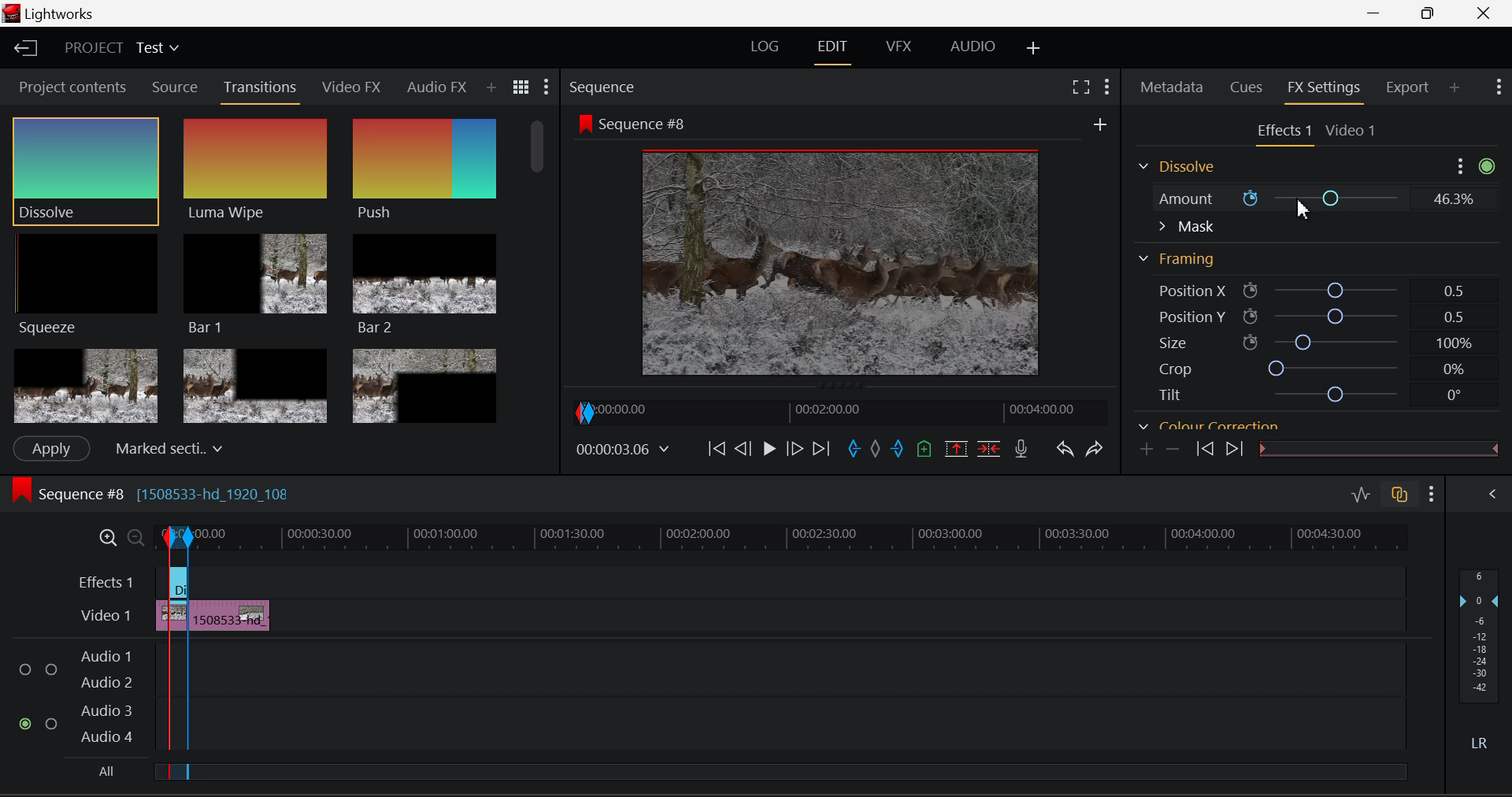  I want to click on Cues, so click(1244, 88).